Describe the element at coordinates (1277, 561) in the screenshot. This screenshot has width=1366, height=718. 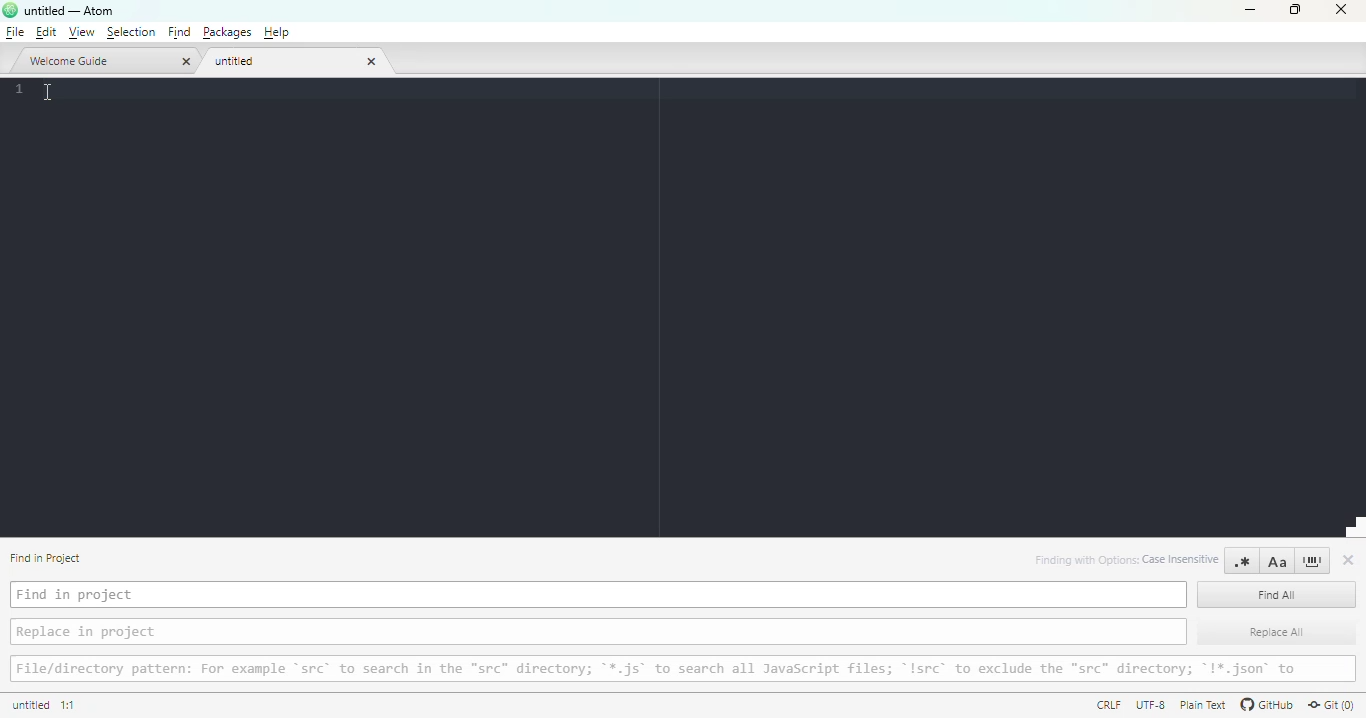
I see `match case` at that location.